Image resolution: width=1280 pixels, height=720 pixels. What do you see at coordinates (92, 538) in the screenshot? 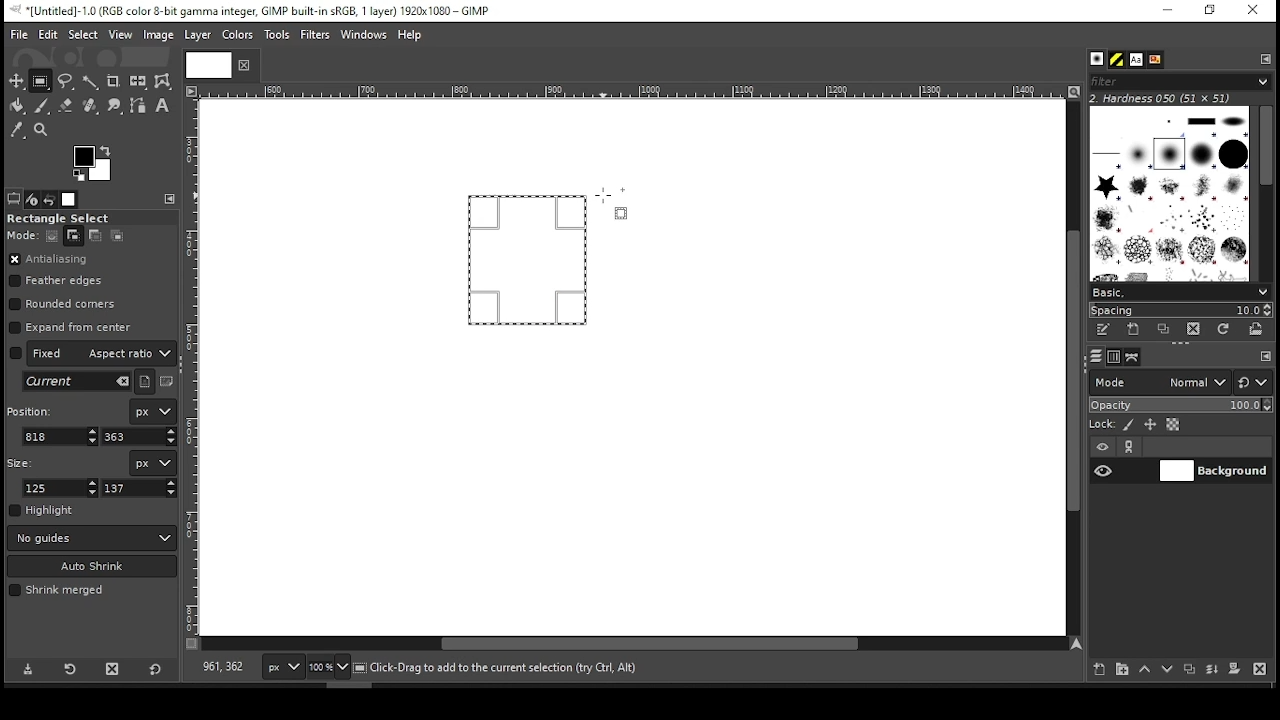
I see `guides` at bounding box center [92, 538].